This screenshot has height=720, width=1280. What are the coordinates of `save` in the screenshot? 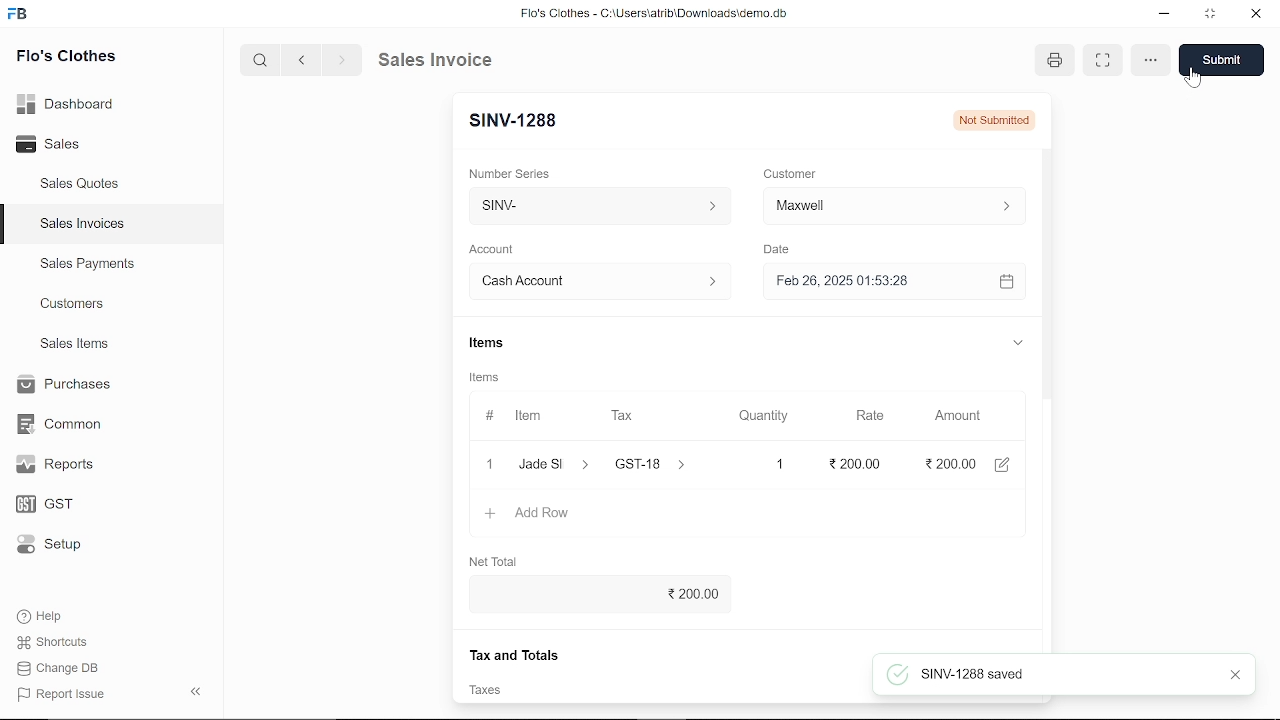 It's located at (1222, 60).